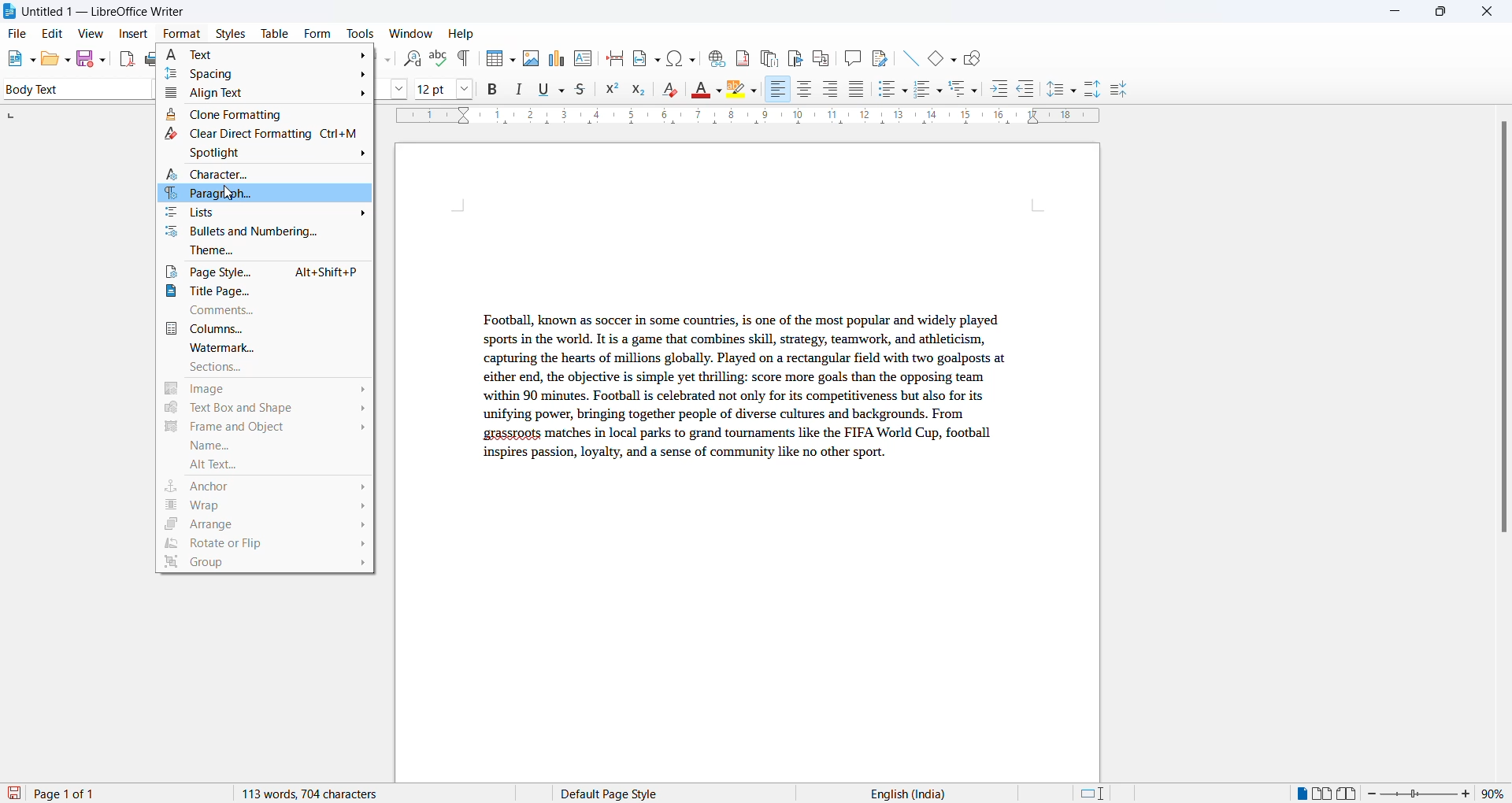 The height and width of the screenshot is (803, 1512). What do you see at coordinates (969, 88) in the screenshot?
I see `select outline format` at bounding box center [969, 88].